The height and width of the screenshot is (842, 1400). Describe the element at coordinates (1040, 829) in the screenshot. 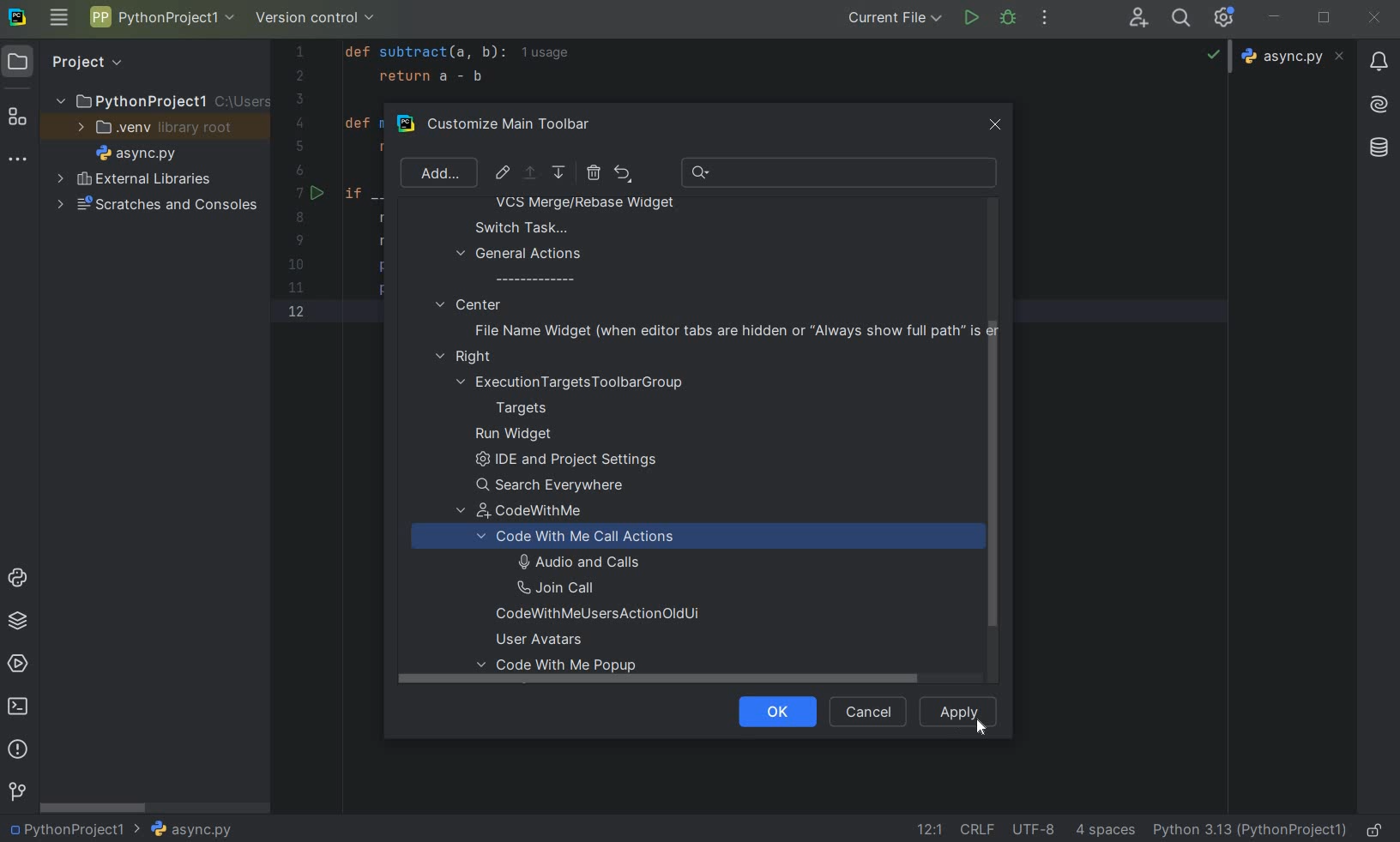

I see `FILE ENCODING` at that location.